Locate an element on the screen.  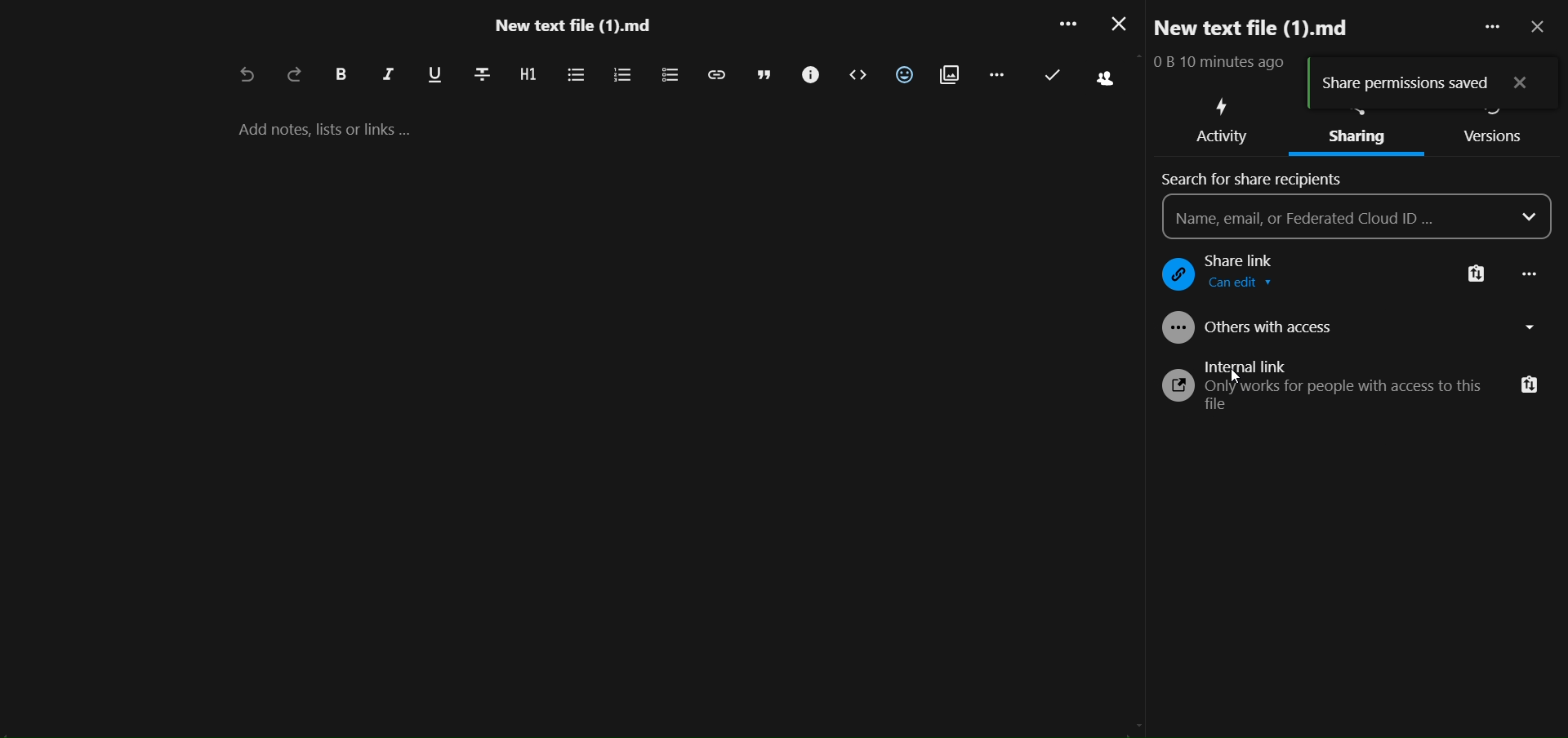
cursor is located at coordinates (1239, 377).